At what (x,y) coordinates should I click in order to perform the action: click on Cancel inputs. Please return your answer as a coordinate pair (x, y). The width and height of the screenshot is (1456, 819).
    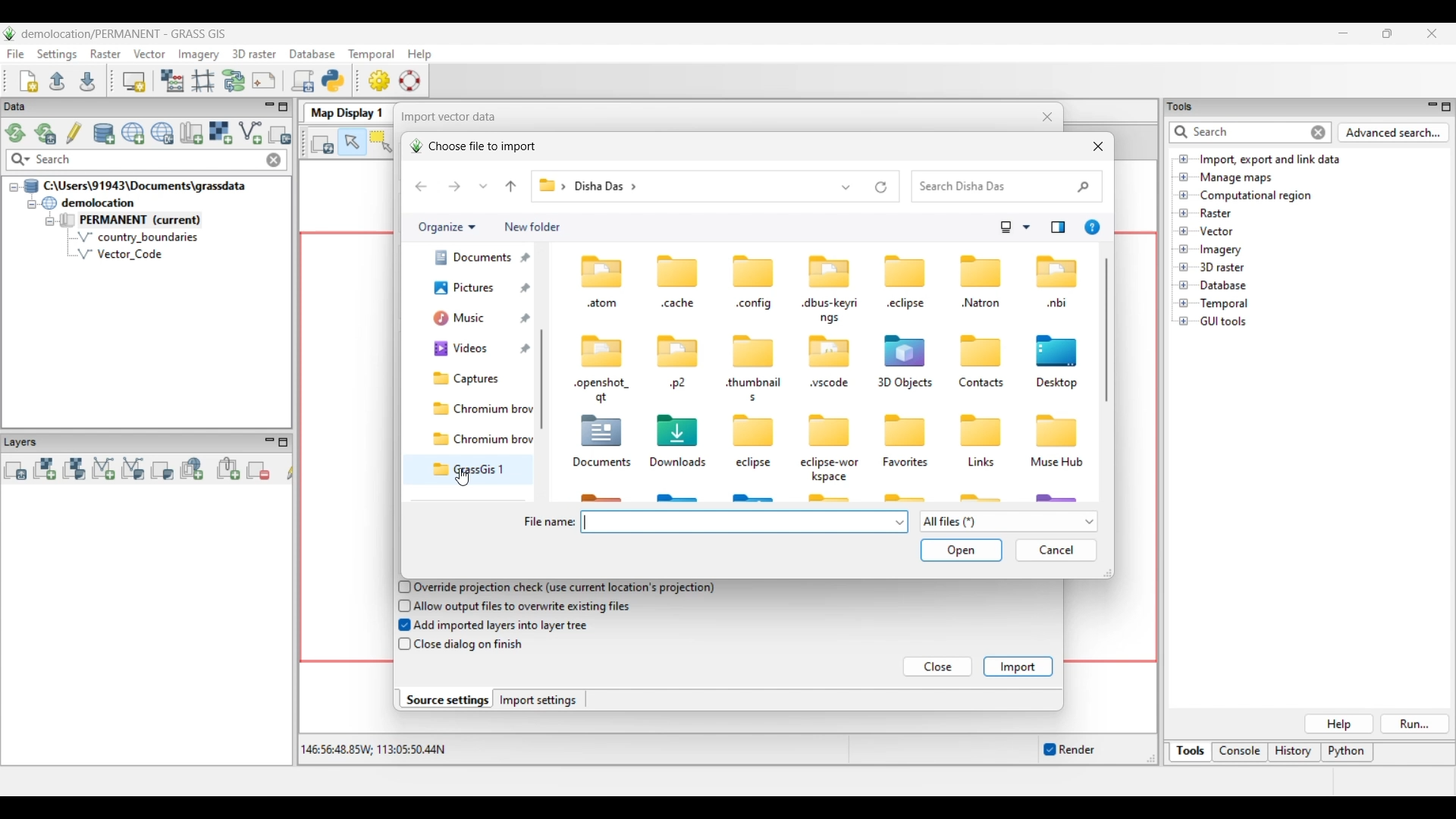
    Looking at the image, I should click on (1056, 551).